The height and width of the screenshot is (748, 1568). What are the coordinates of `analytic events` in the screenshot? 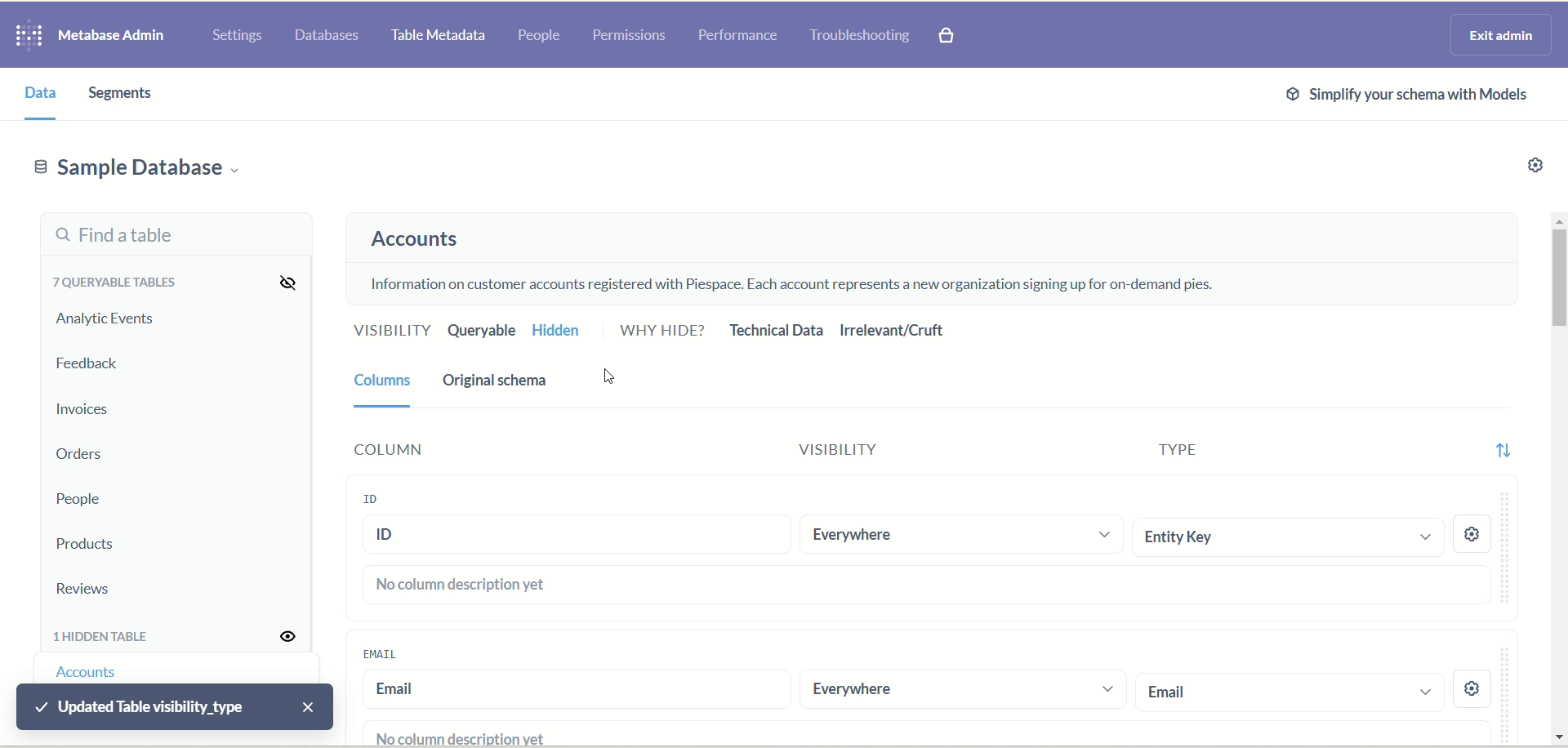 It's located at (109, 320).